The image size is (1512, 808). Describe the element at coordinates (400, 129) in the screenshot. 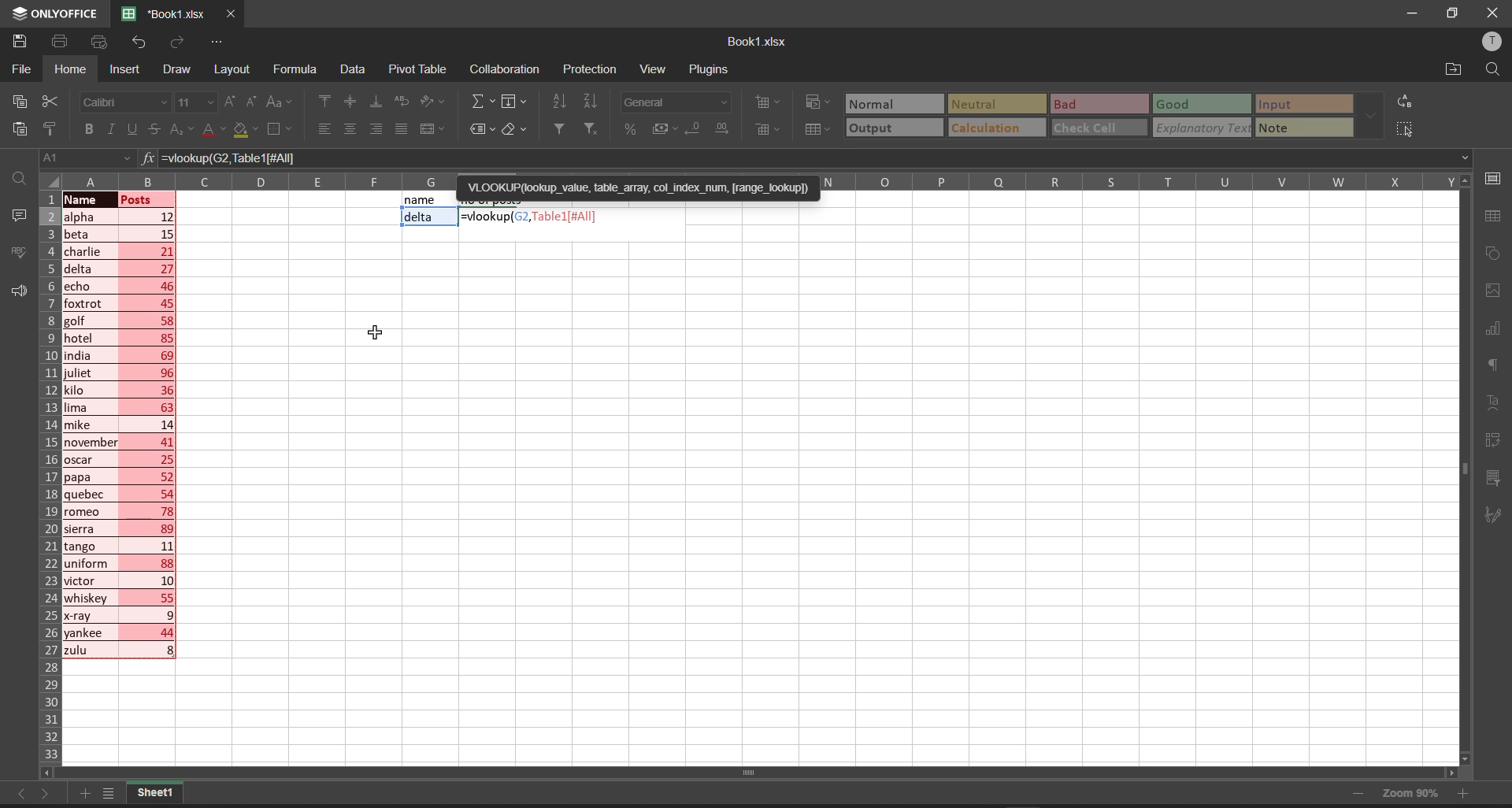

I see `justified` at that location.